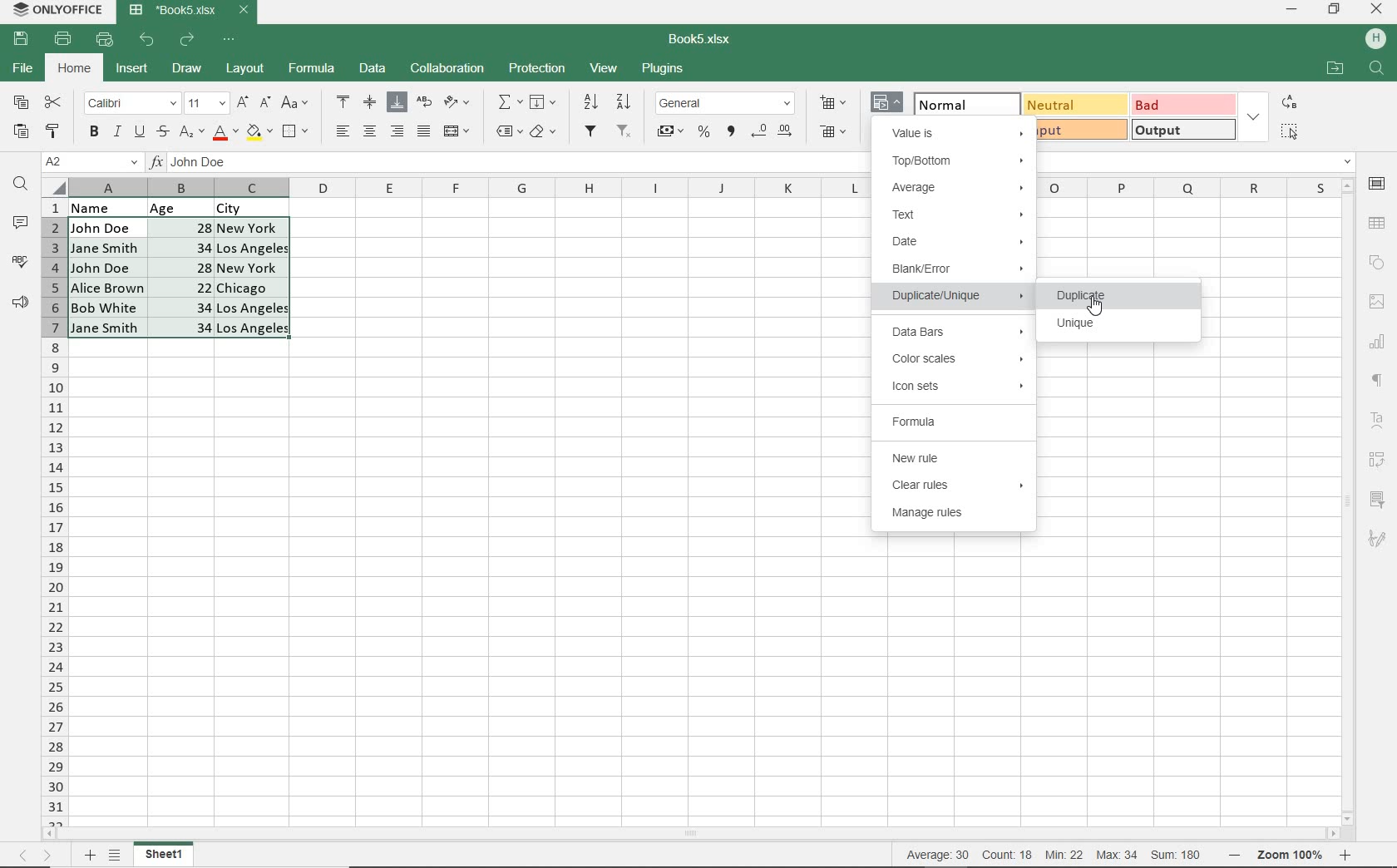 This screenshot has width=1397, height=868. I want to click on COLUMNS, so click(470, 188).